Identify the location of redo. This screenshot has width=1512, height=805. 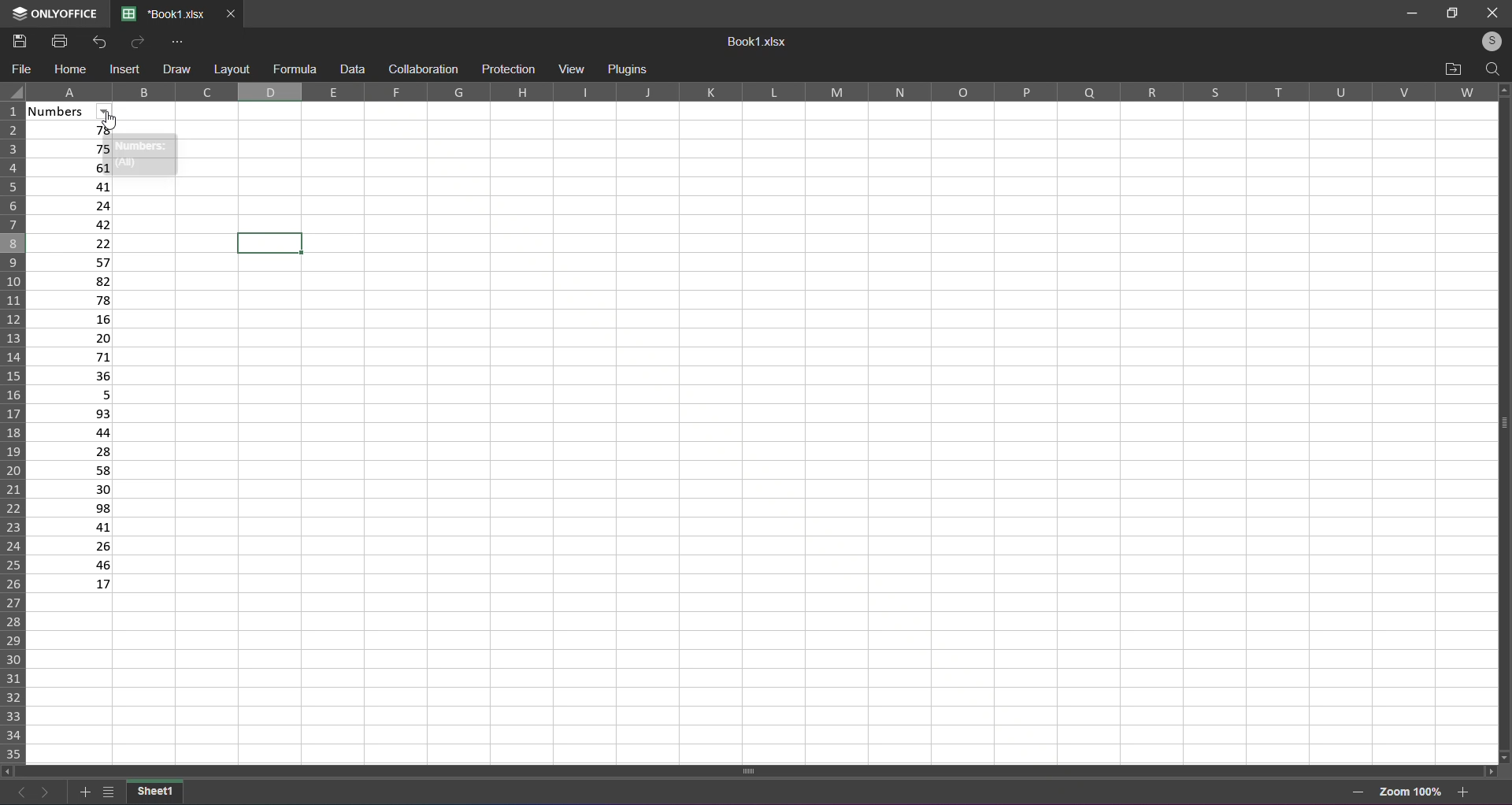
(135, 42).